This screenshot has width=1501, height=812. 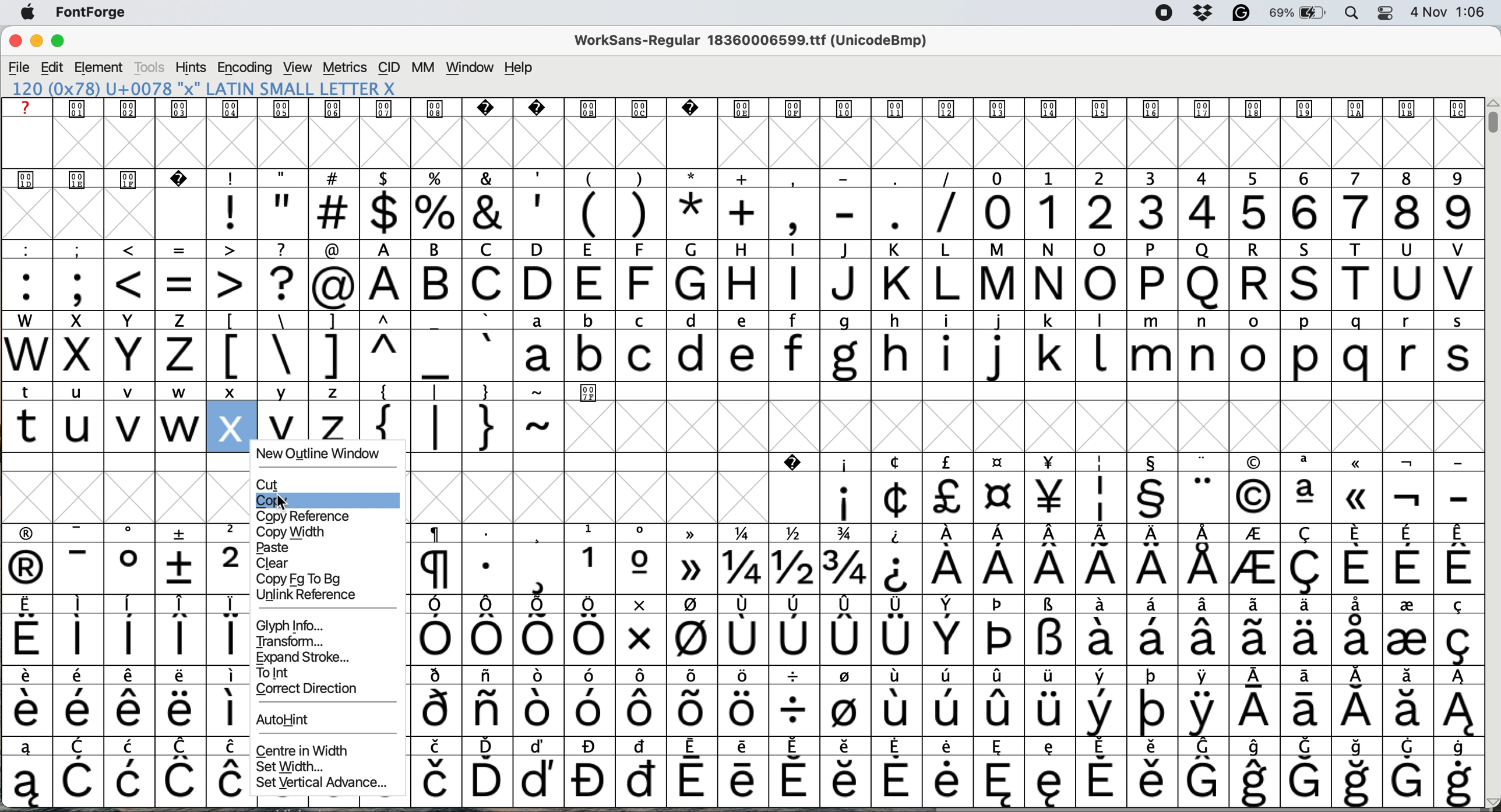 I want to click on auto hint, so click(x=286, y=721).